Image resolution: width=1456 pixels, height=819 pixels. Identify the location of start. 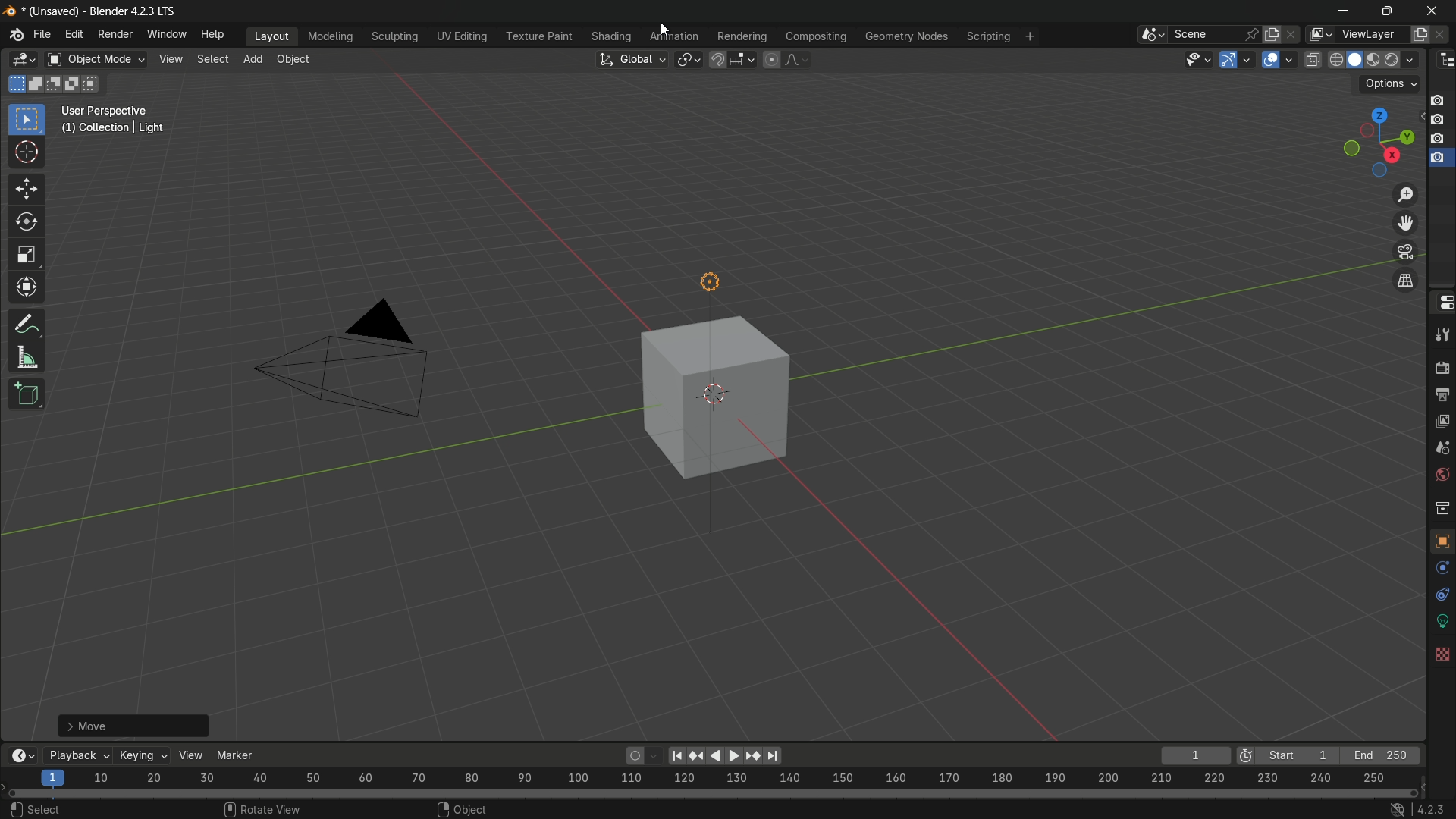
(1285, 755).